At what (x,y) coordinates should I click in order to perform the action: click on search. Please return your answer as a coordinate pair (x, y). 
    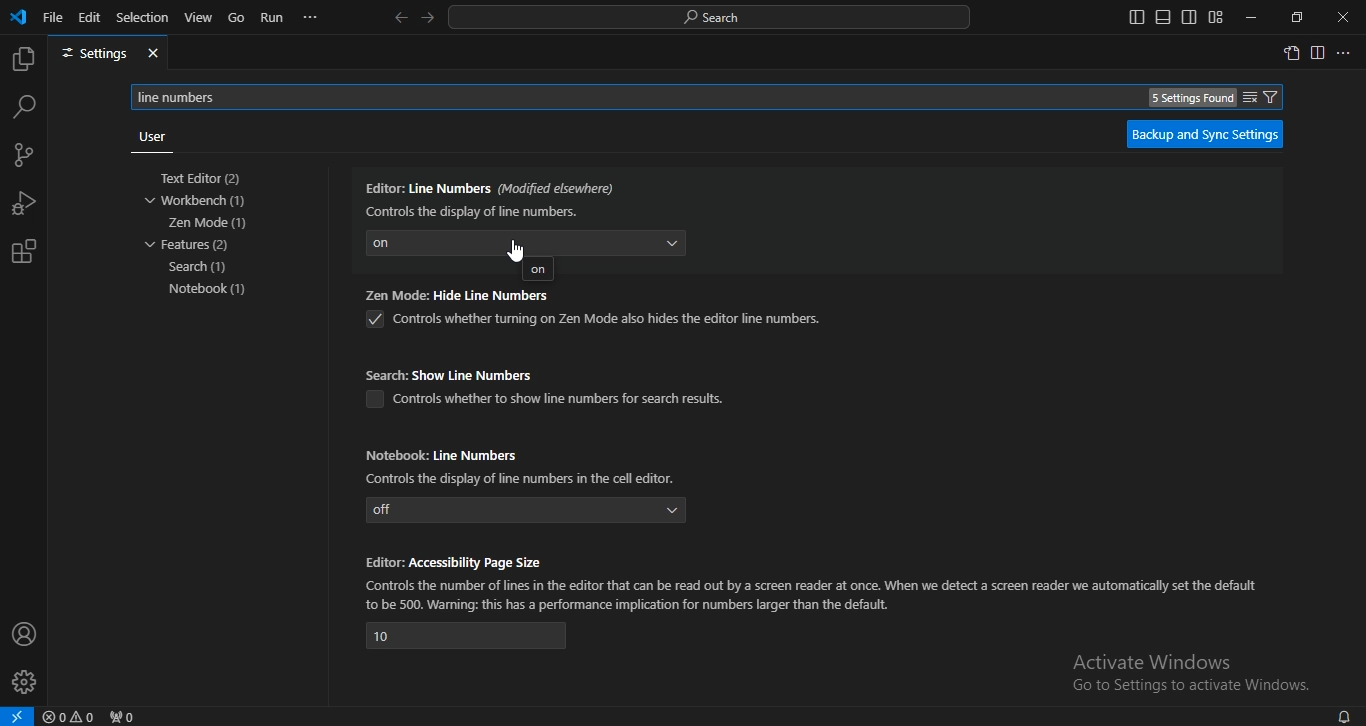
    Looking at the image, I should click on (201, 268).